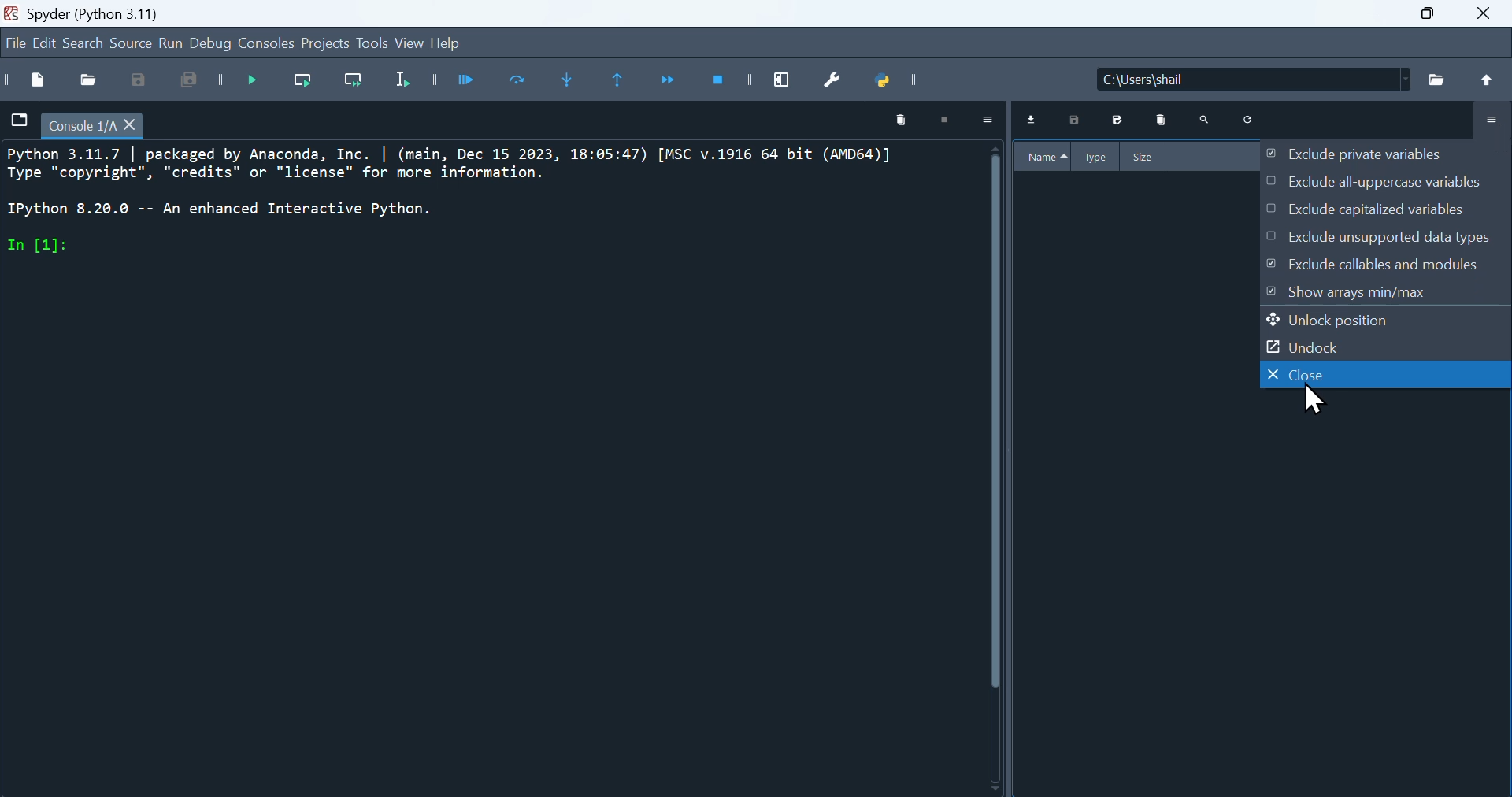 This screenshot has width=1512, height=797. What do you see at coordinates (1380, 212) in the screenshot?
I see `Exclude capitalised variables` at bounding box center [1380, 212].